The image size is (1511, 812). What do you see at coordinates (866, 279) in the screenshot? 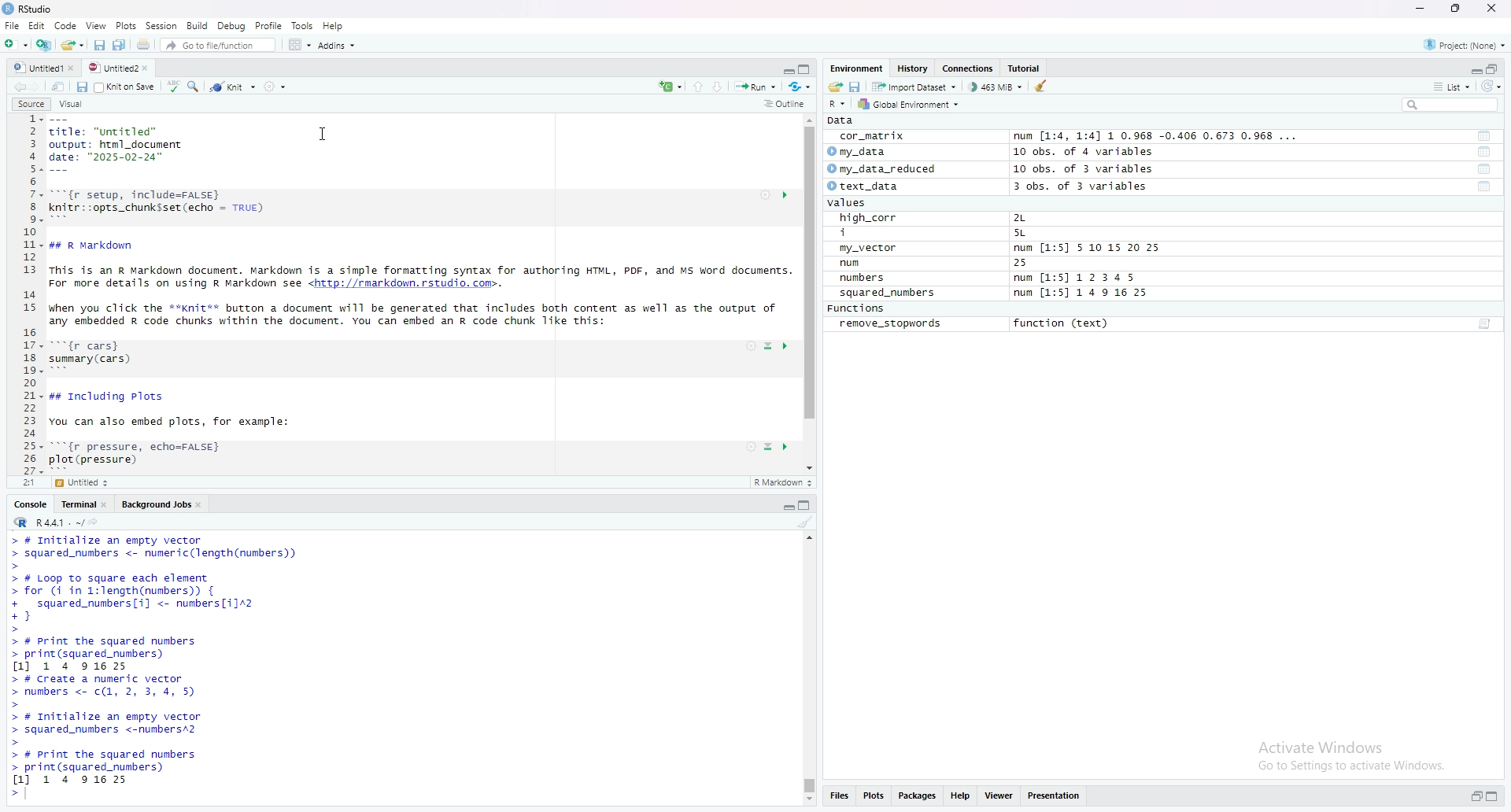
I see `numbers` at bounding box center [866, 279].